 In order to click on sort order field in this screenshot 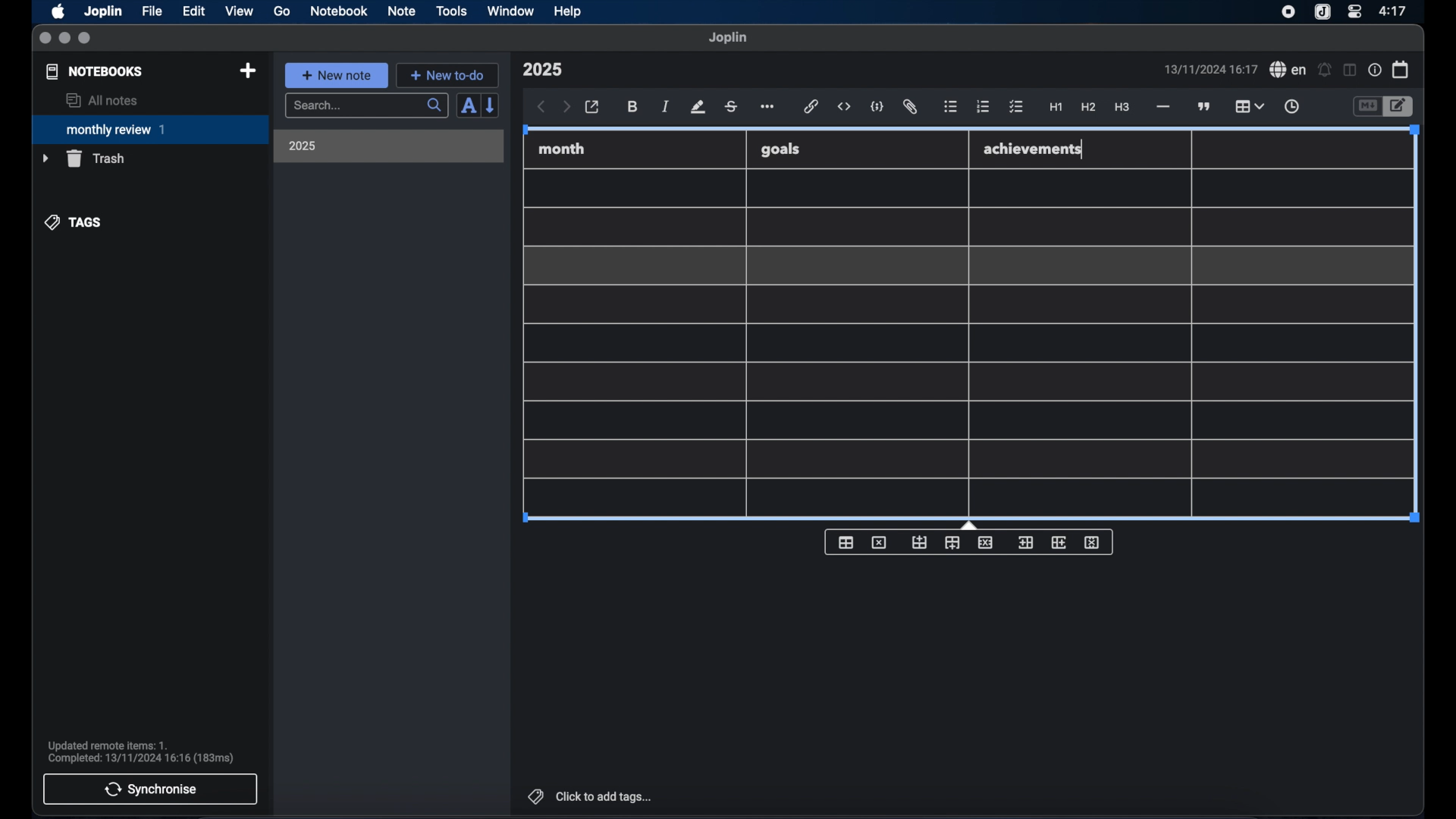, I will do `click(468, 106)`.